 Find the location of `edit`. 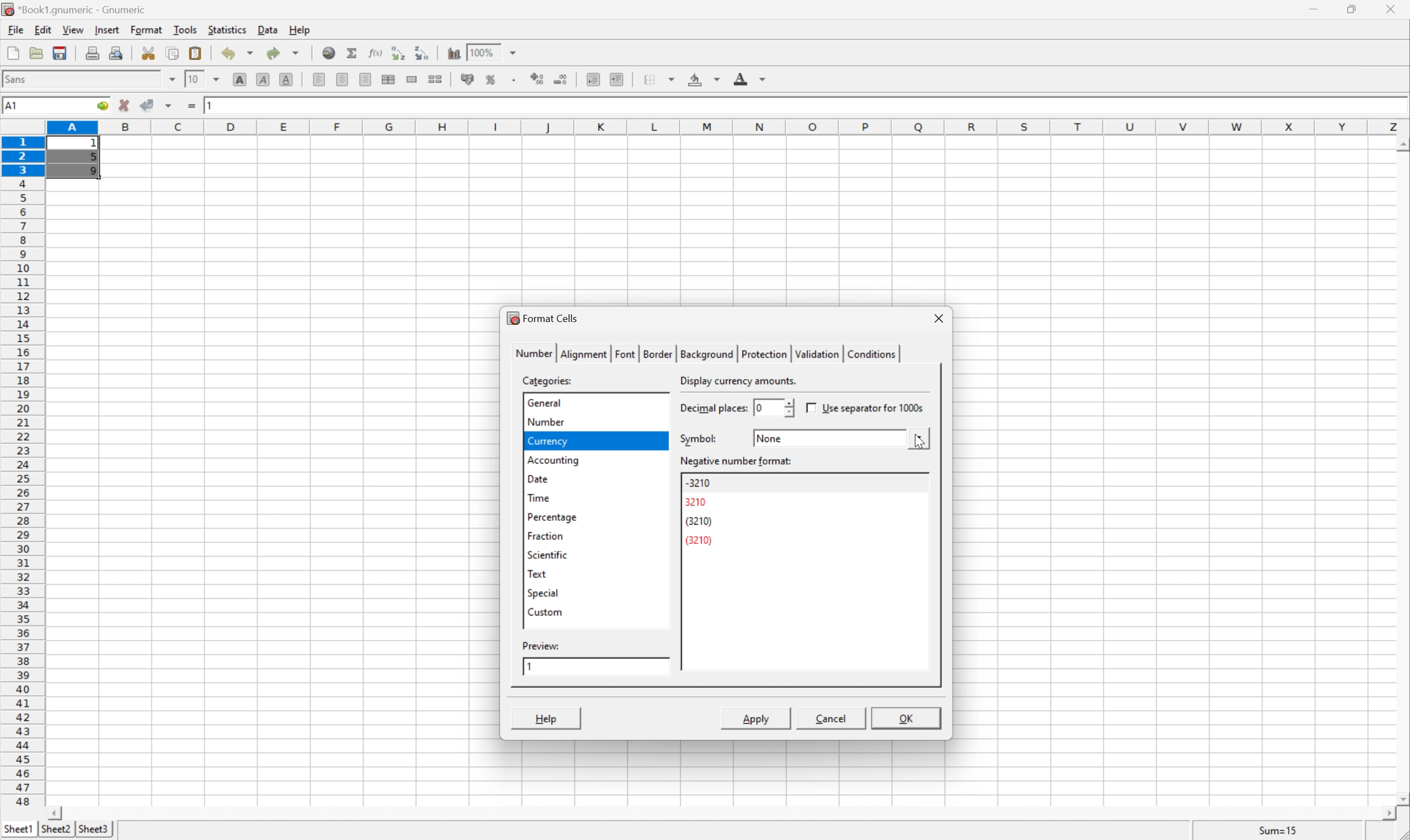

edit is located at coordinates (44, 28).